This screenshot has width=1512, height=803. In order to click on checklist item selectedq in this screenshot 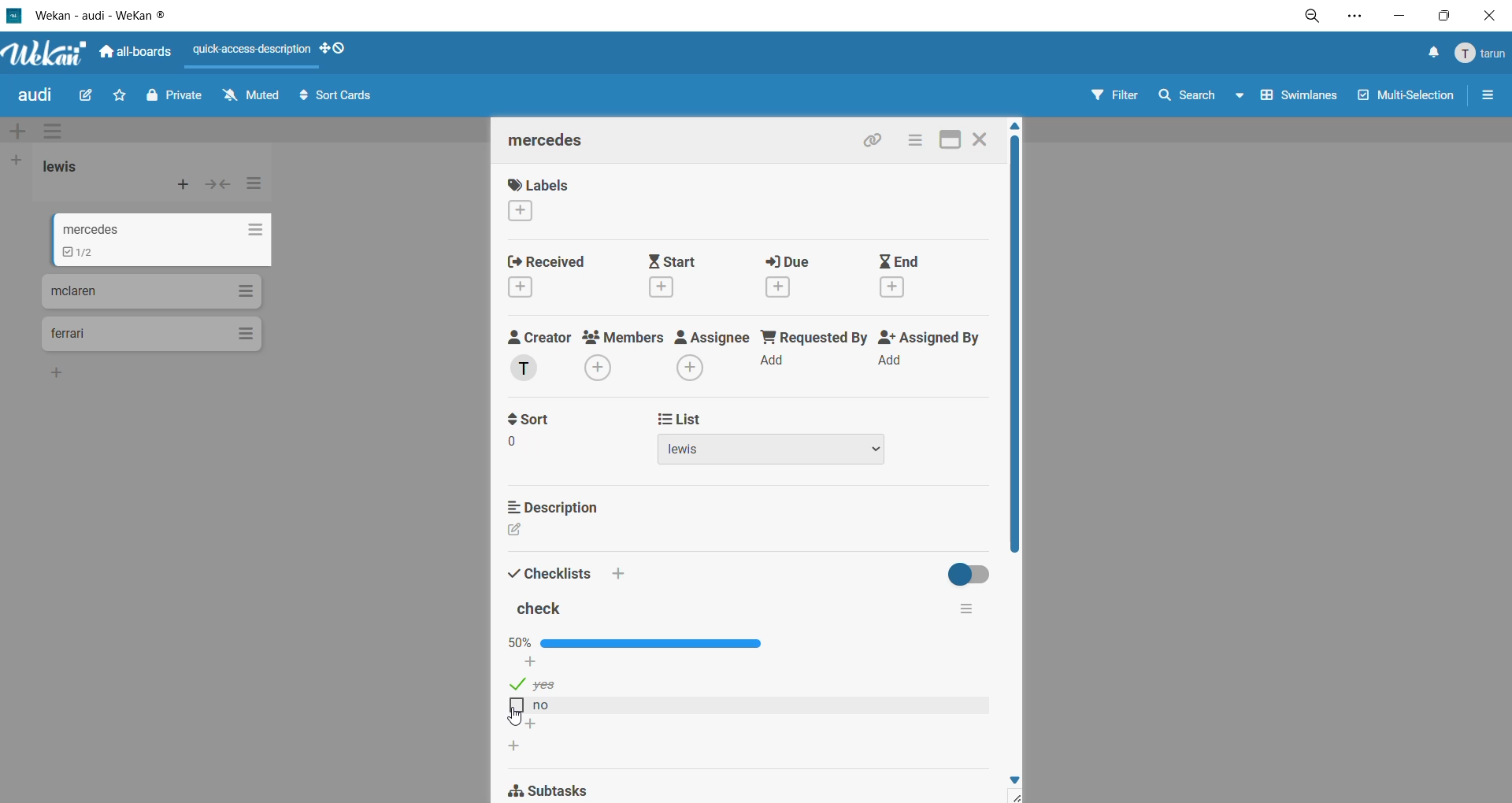, I will do `click(532, 684)`.